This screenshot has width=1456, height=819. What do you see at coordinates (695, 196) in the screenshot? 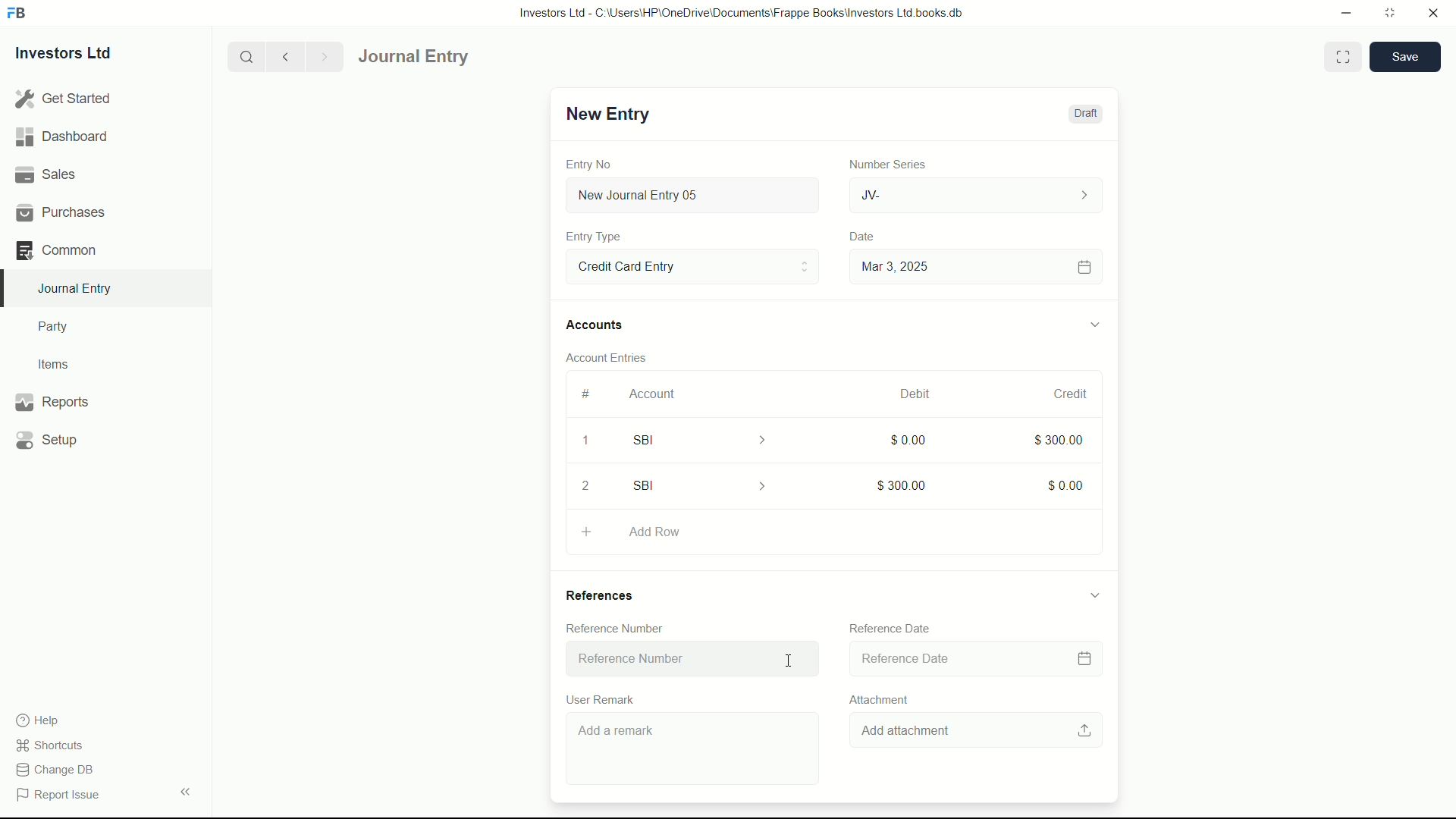
I see `New Journal Entry 05` at bounding box center [695, 196].